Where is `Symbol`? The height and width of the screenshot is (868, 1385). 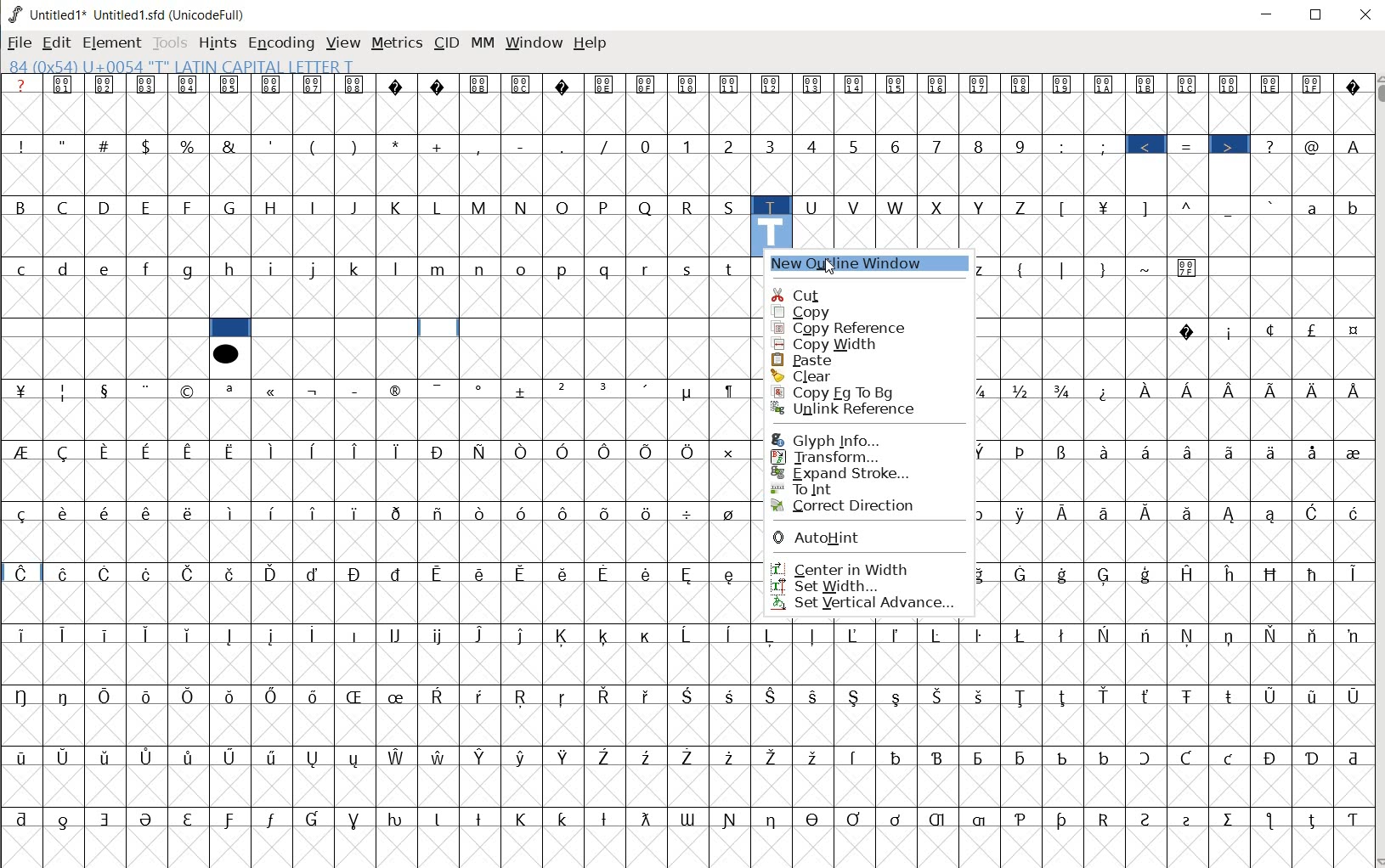
Symbol is located at coordinates (67, 452).